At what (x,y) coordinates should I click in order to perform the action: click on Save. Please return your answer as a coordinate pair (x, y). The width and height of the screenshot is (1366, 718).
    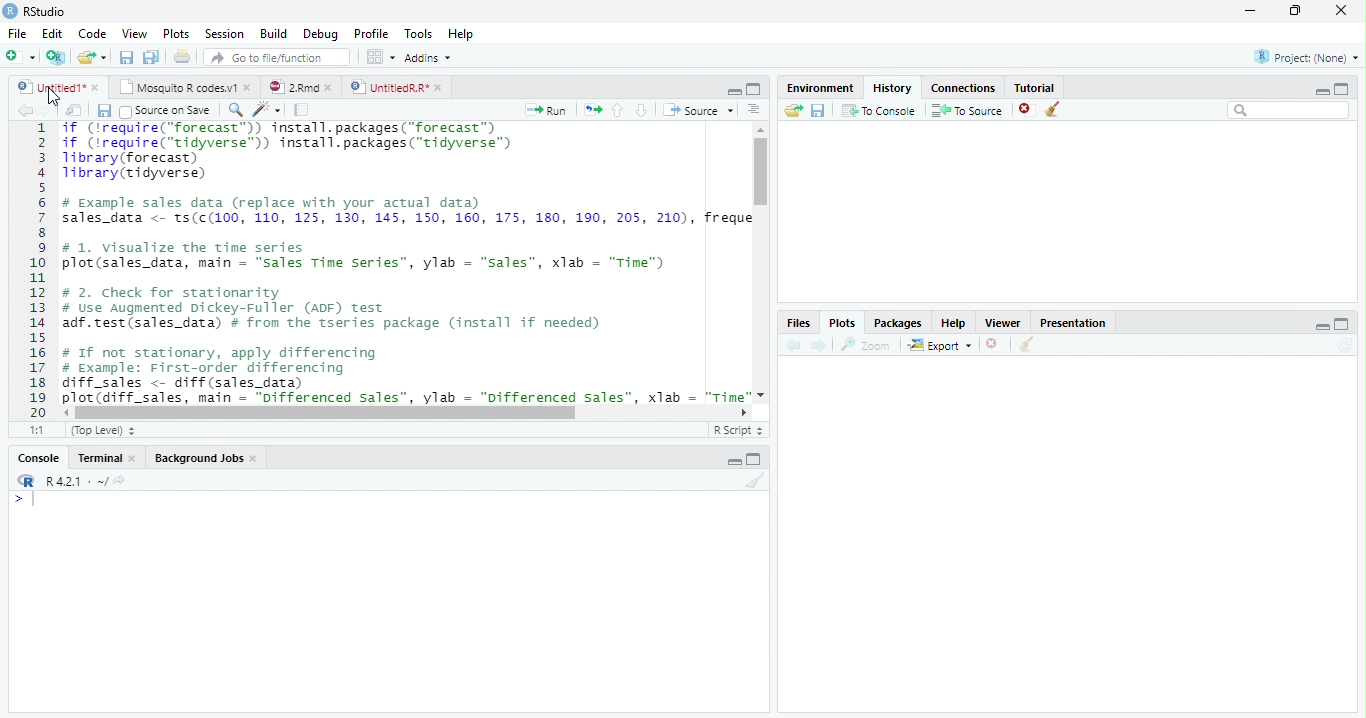
    Looking at the image, I should click on (125, 56).